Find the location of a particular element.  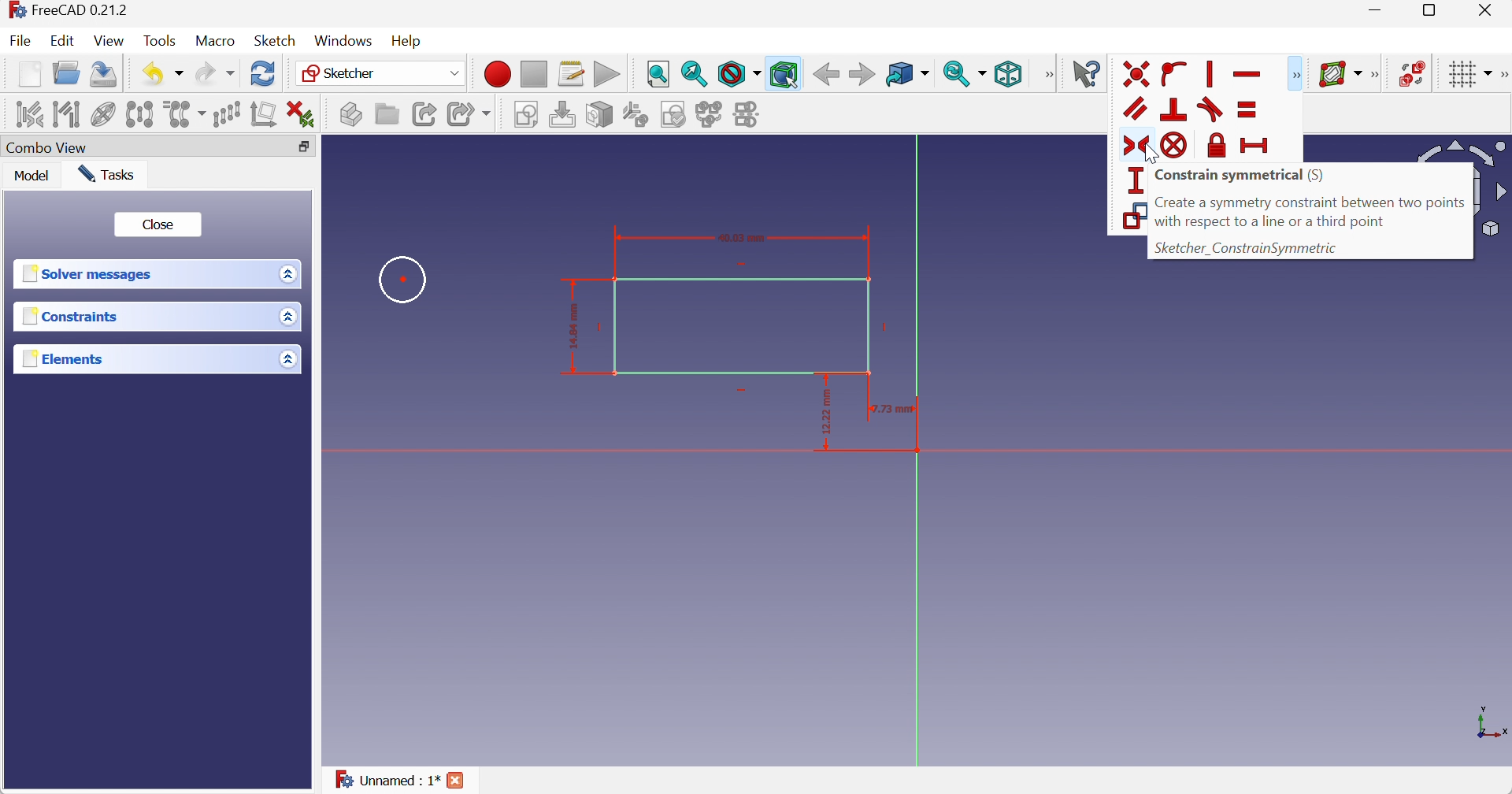

Create a symmetry constrain between two points wit  respect to a line or a third point is located at coordinates (1311, 213).